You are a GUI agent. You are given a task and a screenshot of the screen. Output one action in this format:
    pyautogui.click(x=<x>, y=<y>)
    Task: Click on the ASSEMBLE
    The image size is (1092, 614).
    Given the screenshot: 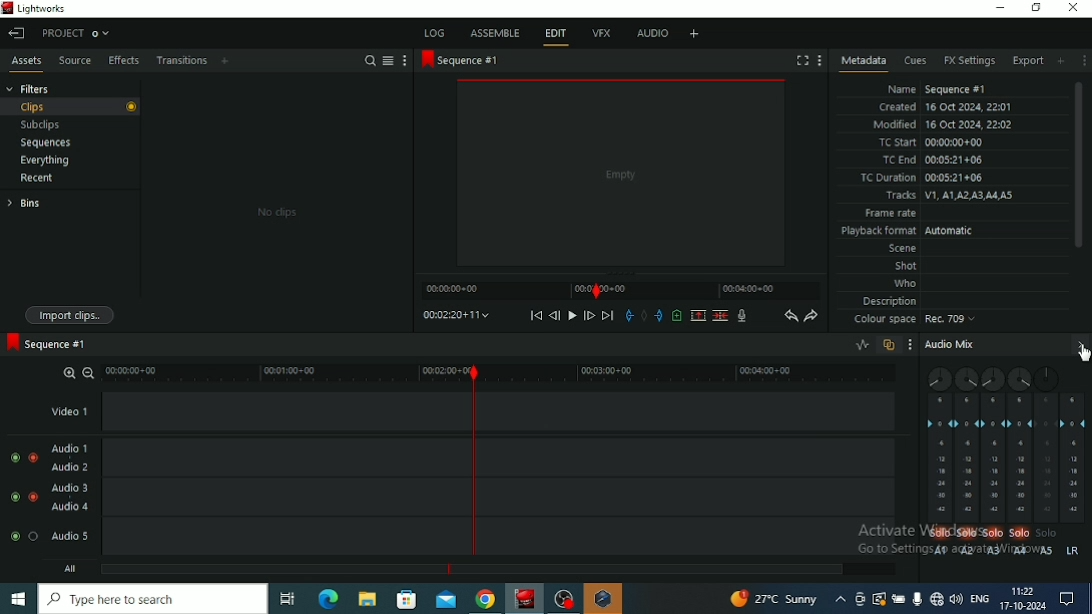 What is the action you would take?
    pyautogui.click(x=495, y=33)
    